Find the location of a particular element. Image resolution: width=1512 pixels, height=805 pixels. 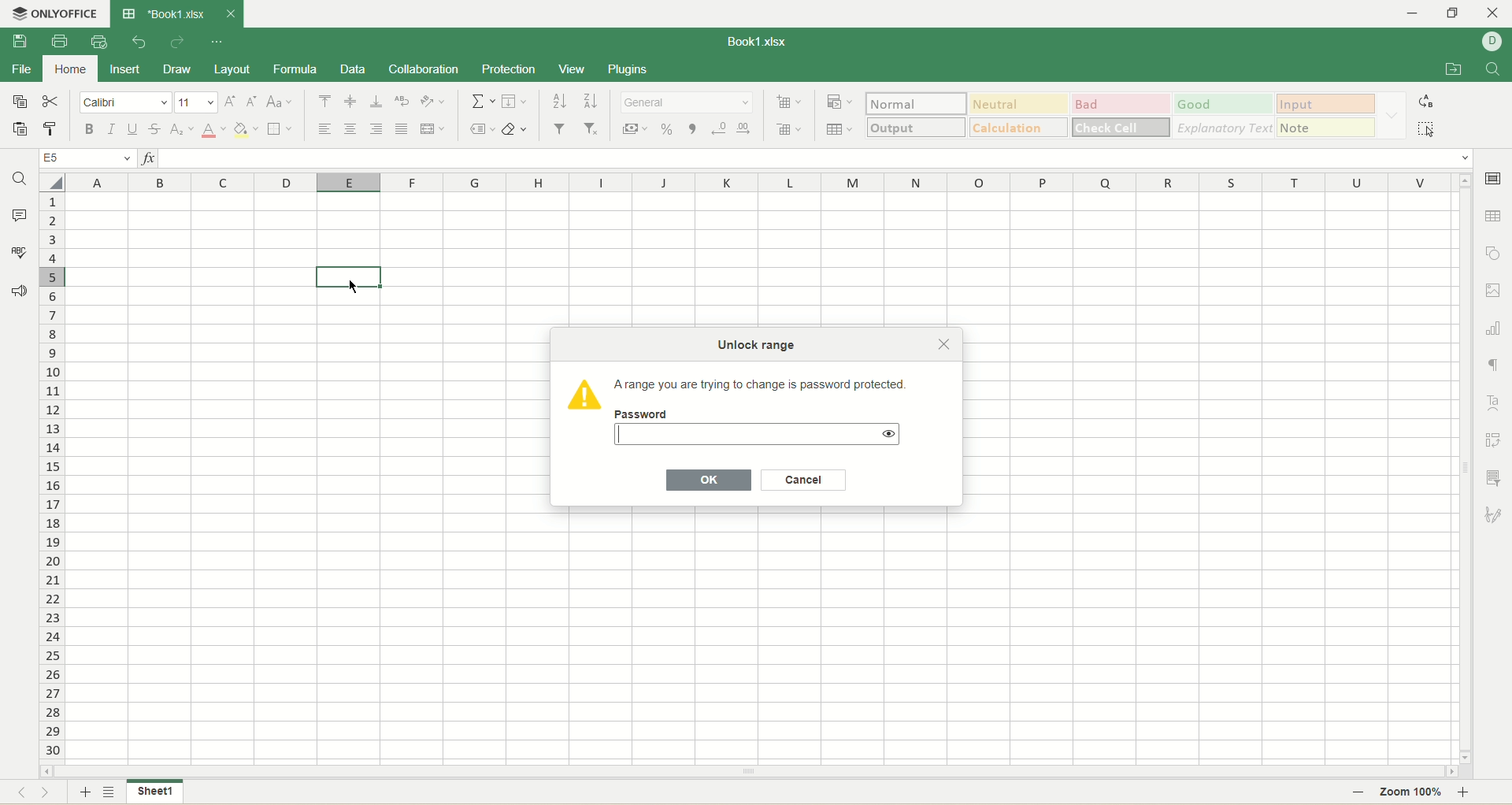

align top is located at coordinates (326, 101).